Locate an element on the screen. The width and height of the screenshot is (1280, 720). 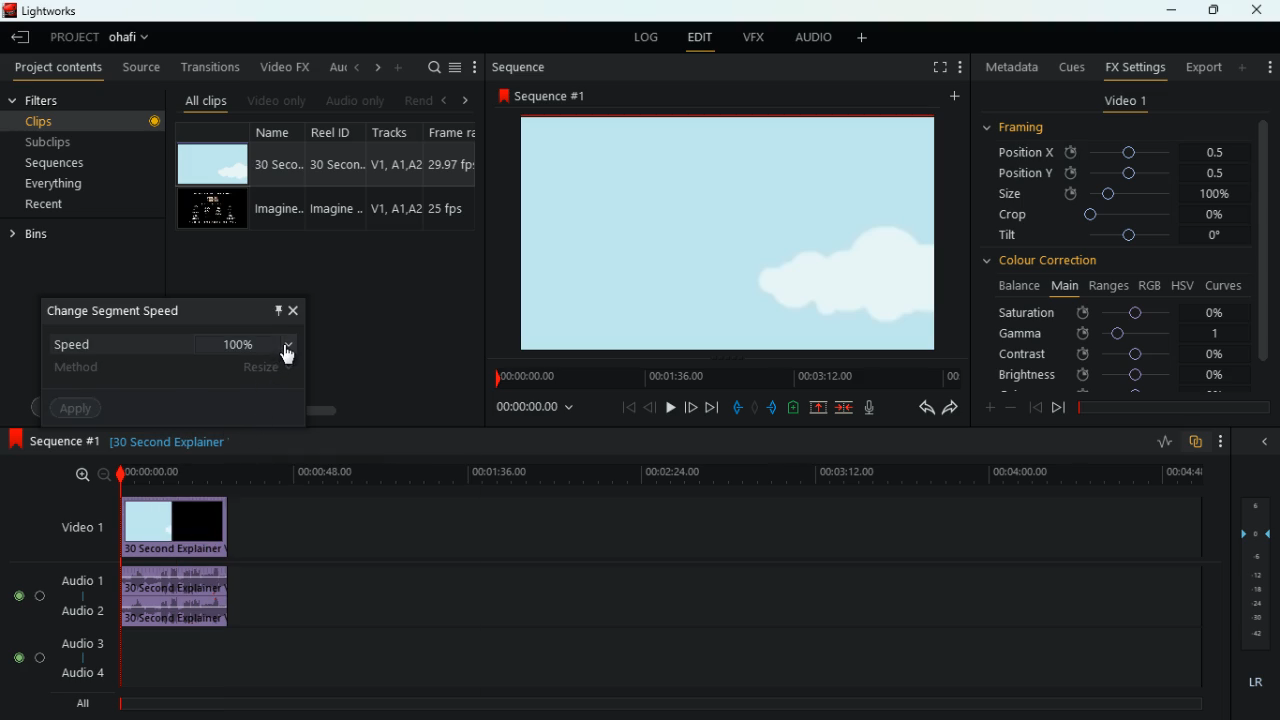
method is located at coordinates (173, 368).